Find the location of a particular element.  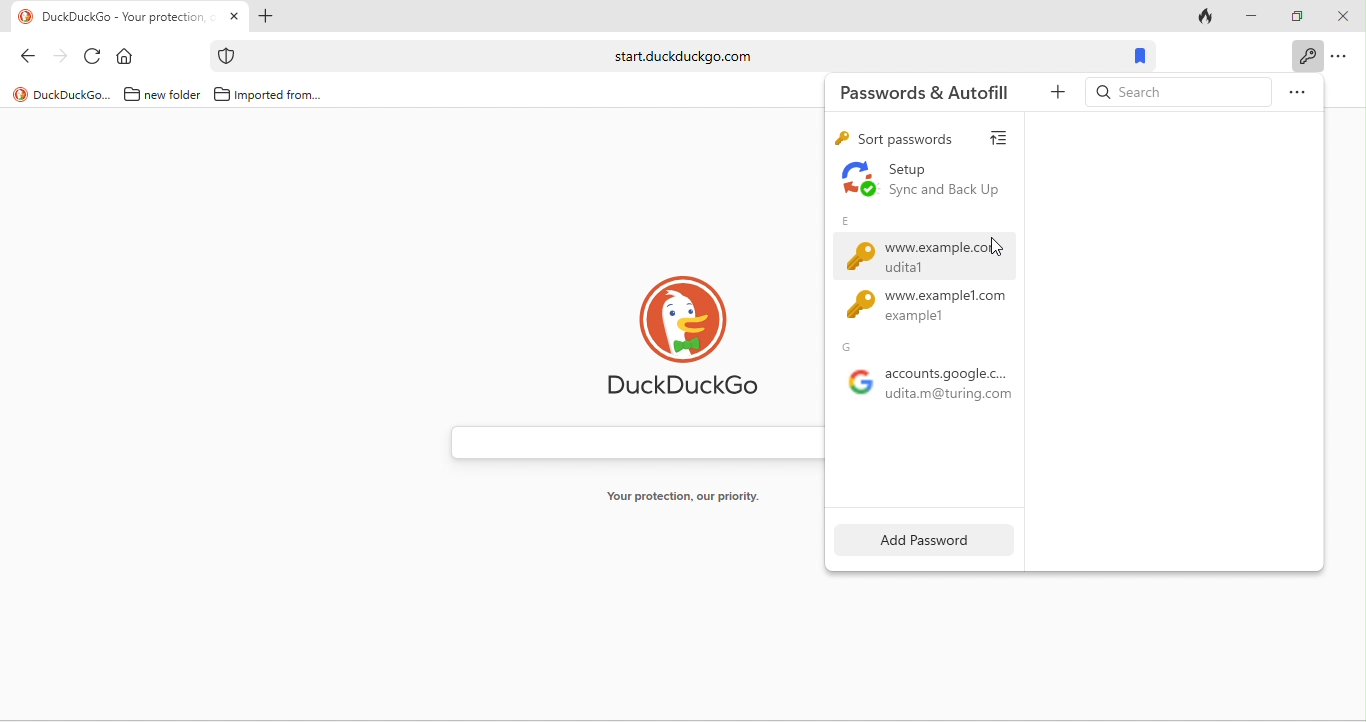

password and autofill is located at coordinates (1305, 56).